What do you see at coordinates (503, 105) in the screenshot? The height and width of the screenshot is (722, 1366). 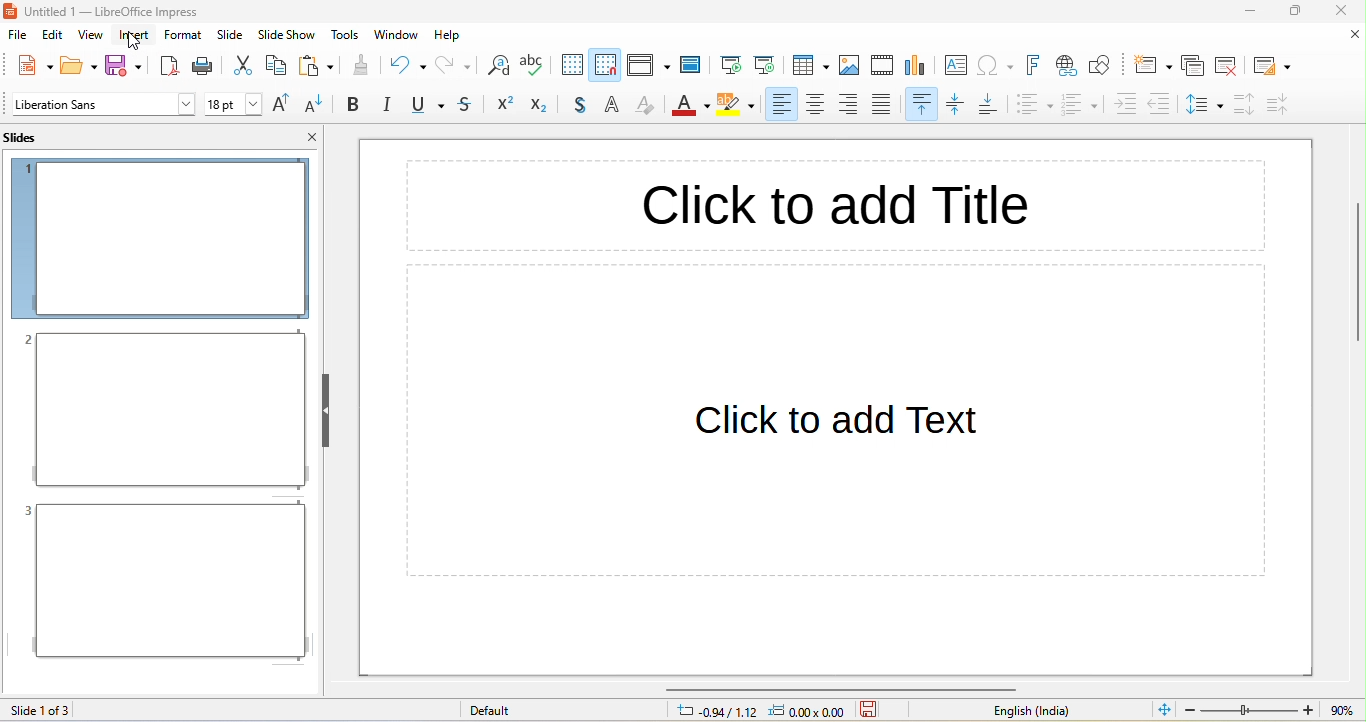 I see `superscript` at bounding box center [503, 105].